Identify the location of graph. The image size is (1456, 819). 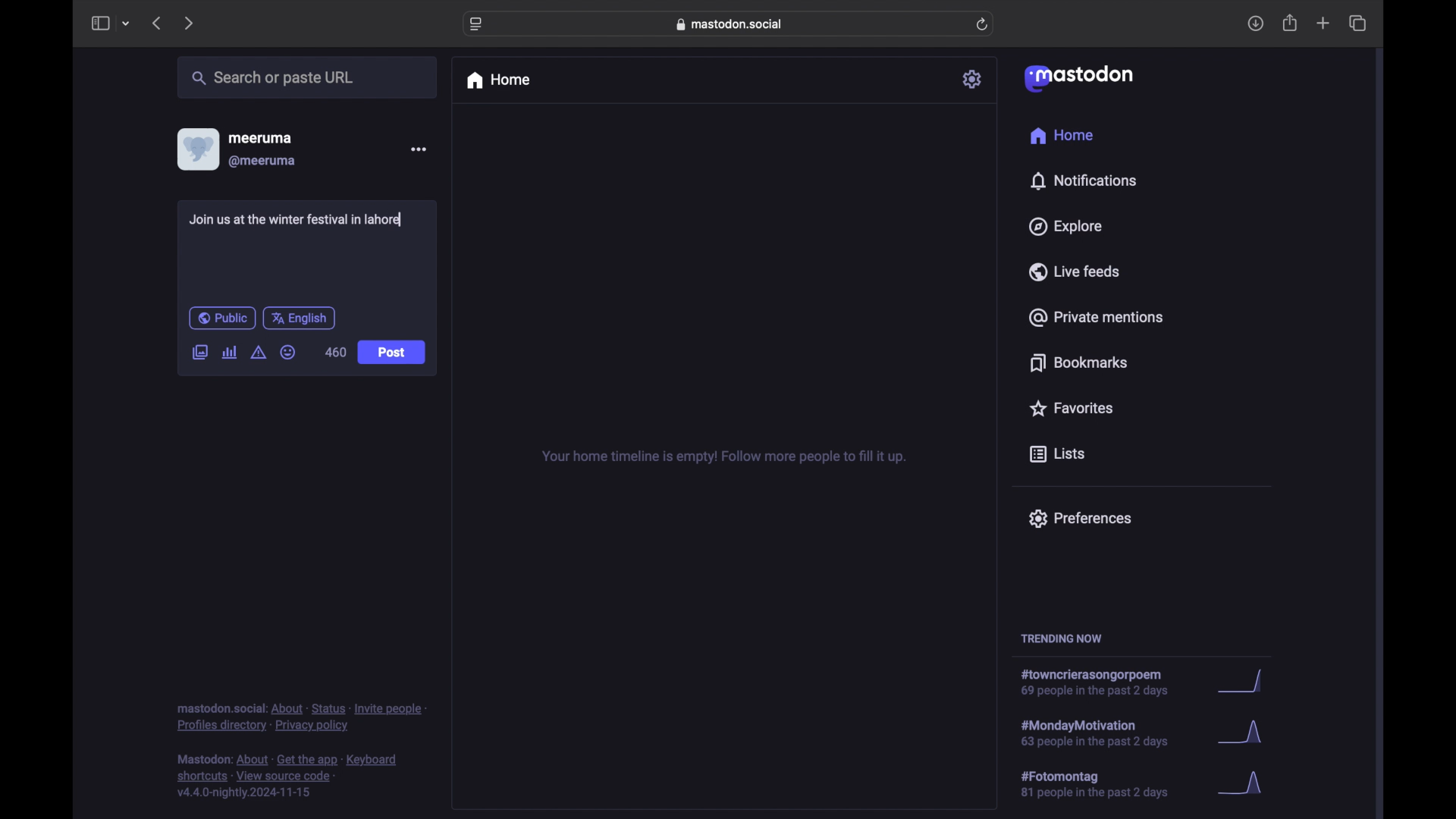
(1244, 682).